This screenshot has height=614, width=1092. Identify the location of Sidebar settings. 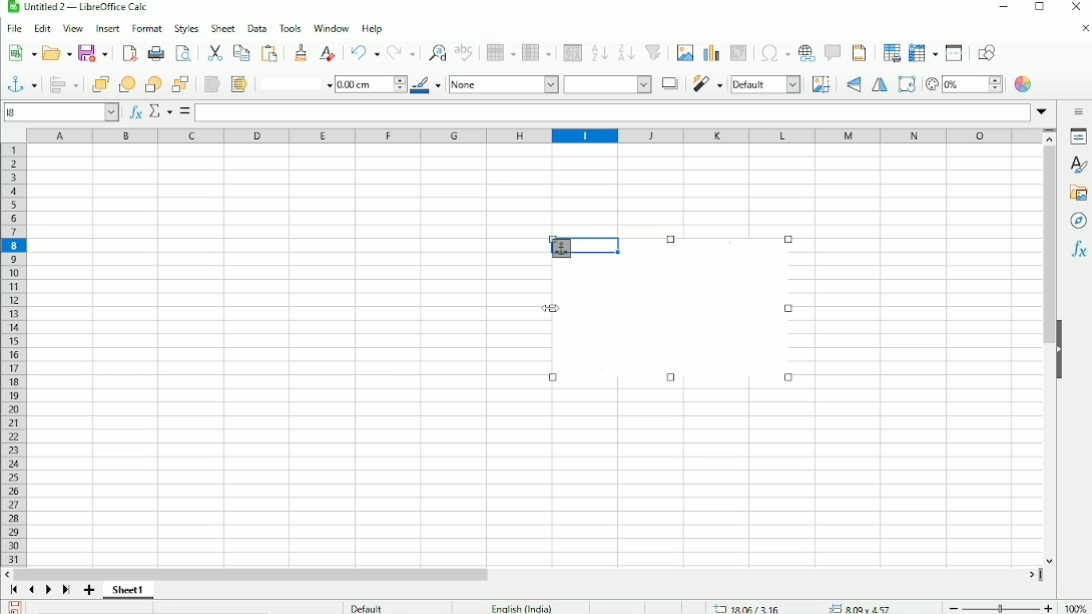
(1079, 111).